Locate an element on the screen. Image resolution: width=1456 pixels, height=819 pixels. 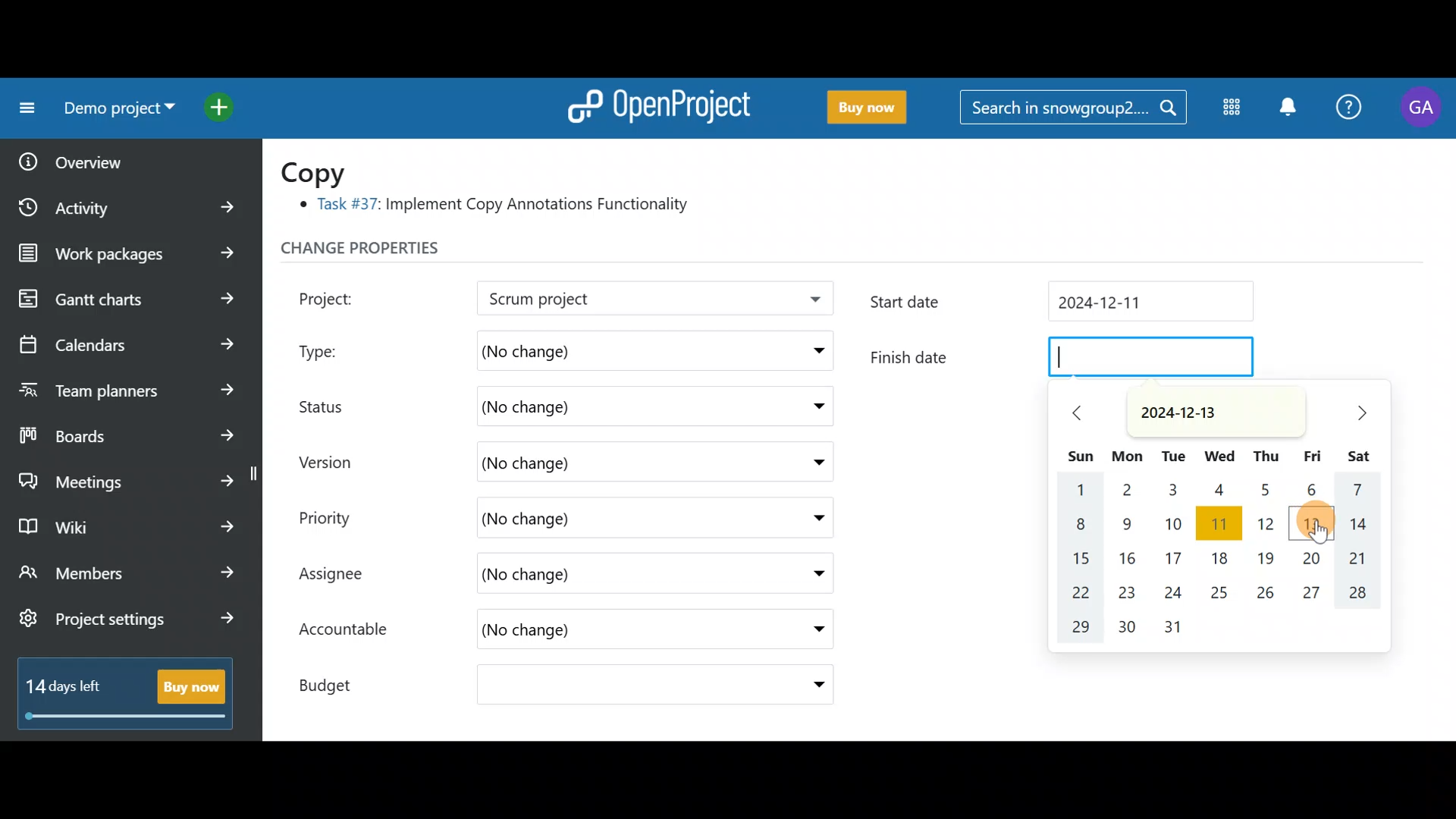
Priority drop down is located at coordinates (804, 516).